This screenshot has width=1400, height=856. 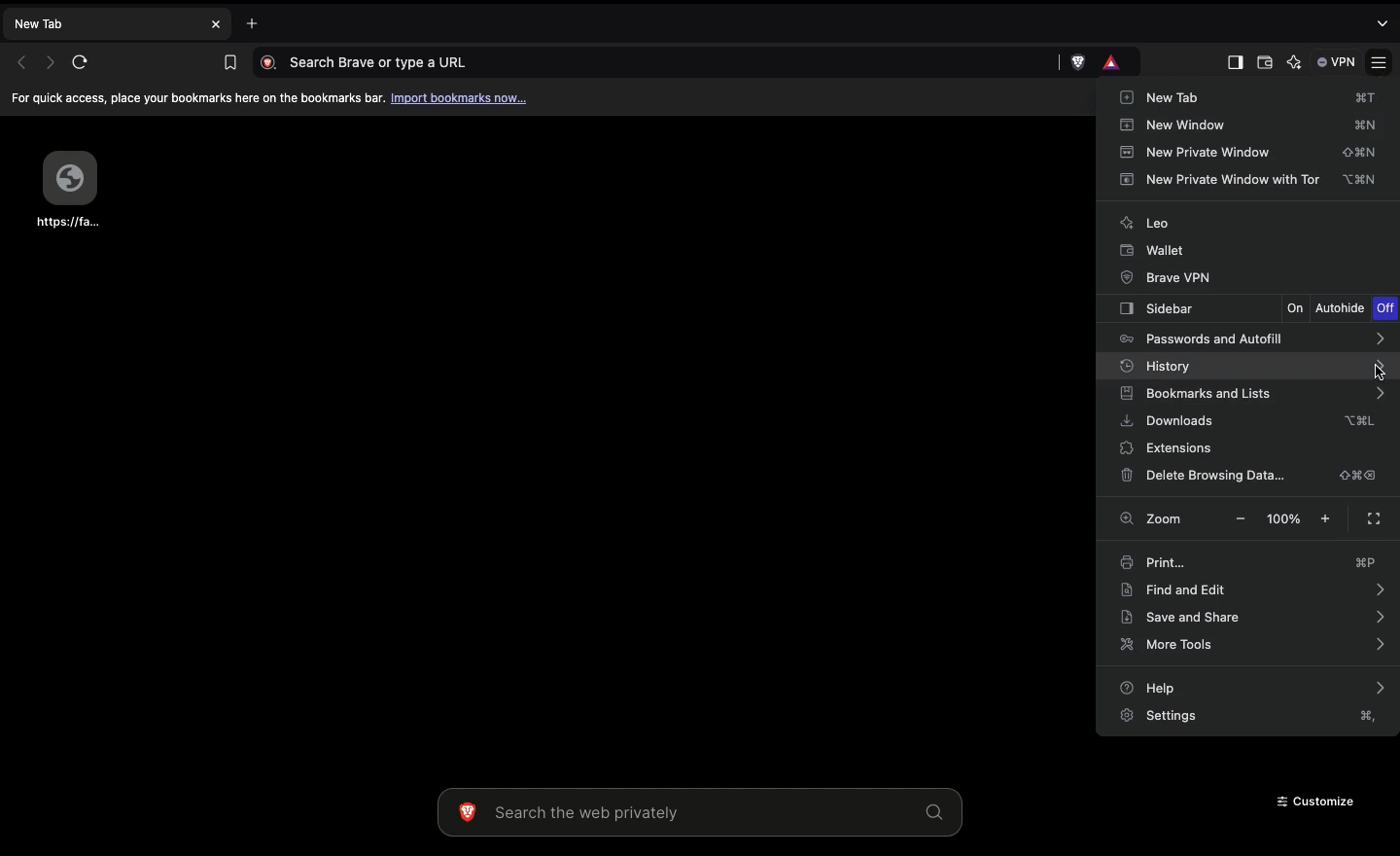 What do you see at coordinates (116, 26) in the screenshot?
I see `New tab` at bounding box center [116, 26].